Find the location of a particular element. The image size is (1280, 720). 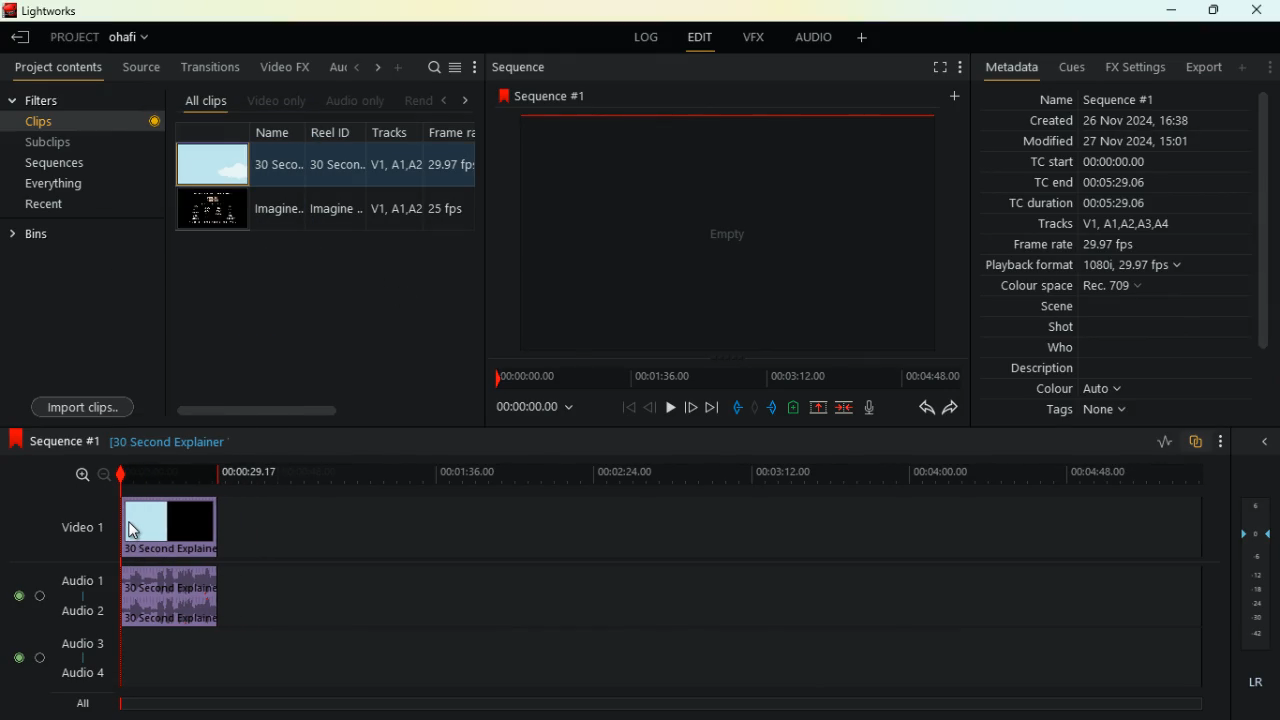

tc end is located at coordinates (1093, 182).